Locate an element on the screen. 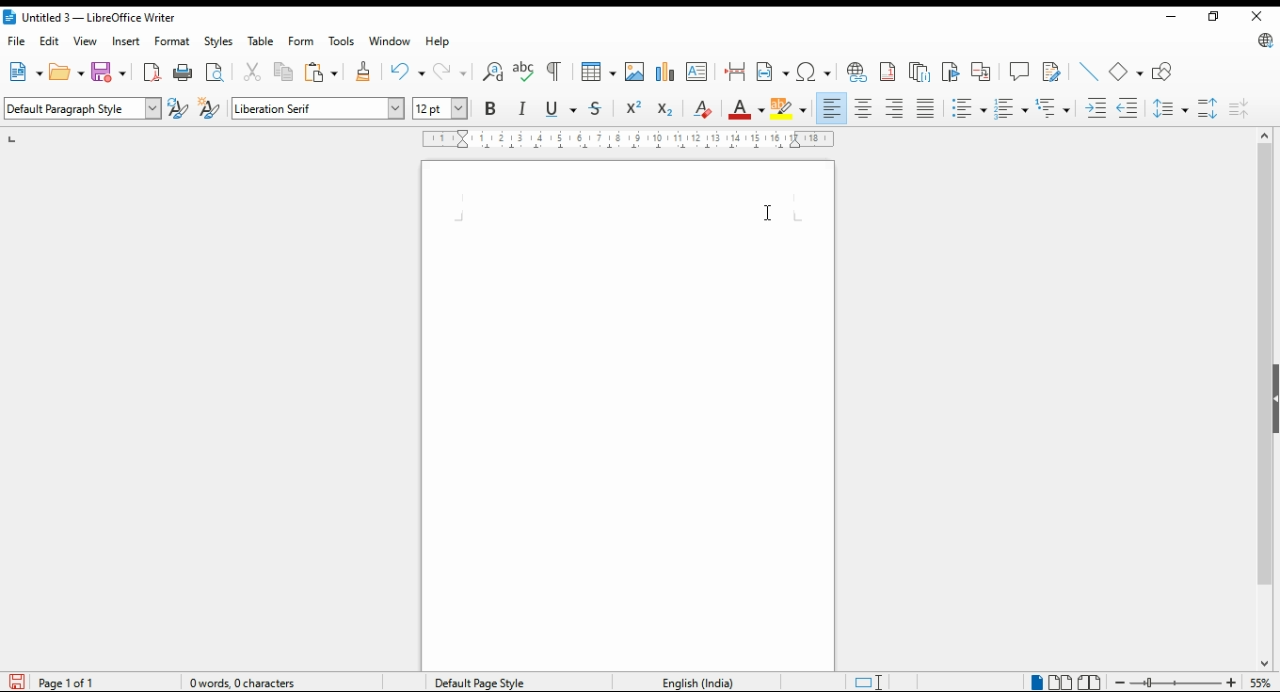 The height and width of the screenshot is (692, 1280). scroll bar is located at coordinates (1264, 399).